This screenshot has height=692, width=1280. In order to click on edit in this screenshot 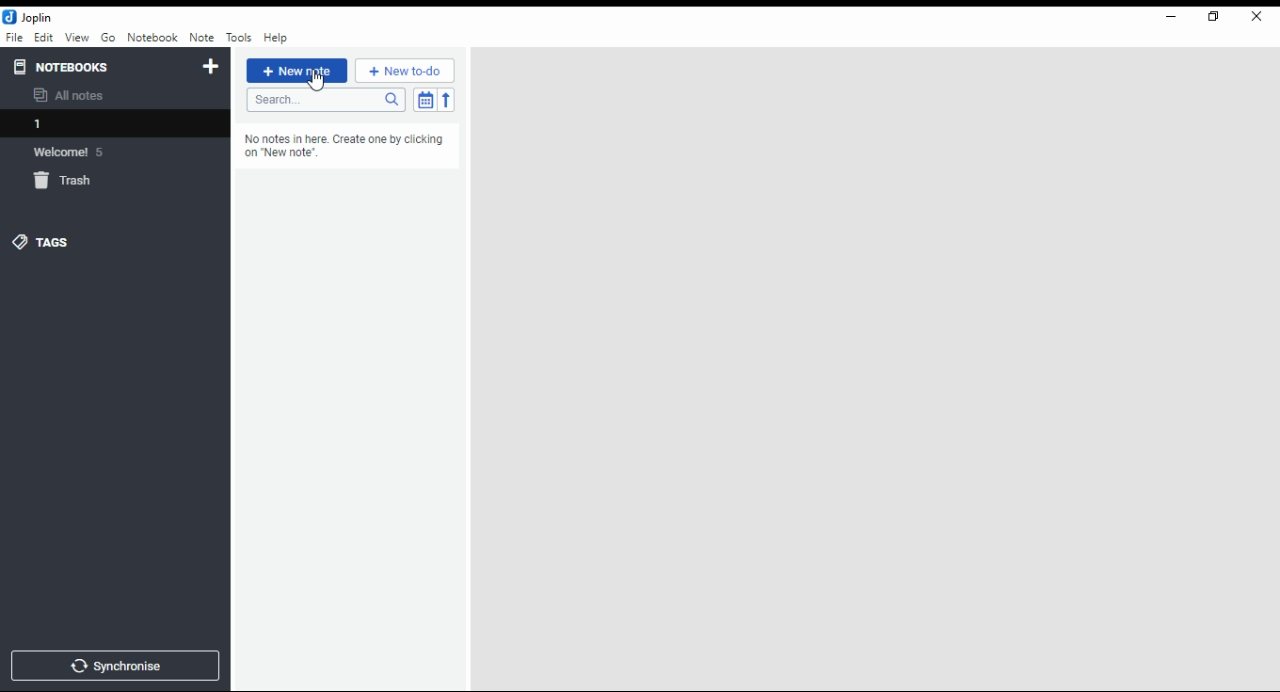, I will do `click(44, 37)`.